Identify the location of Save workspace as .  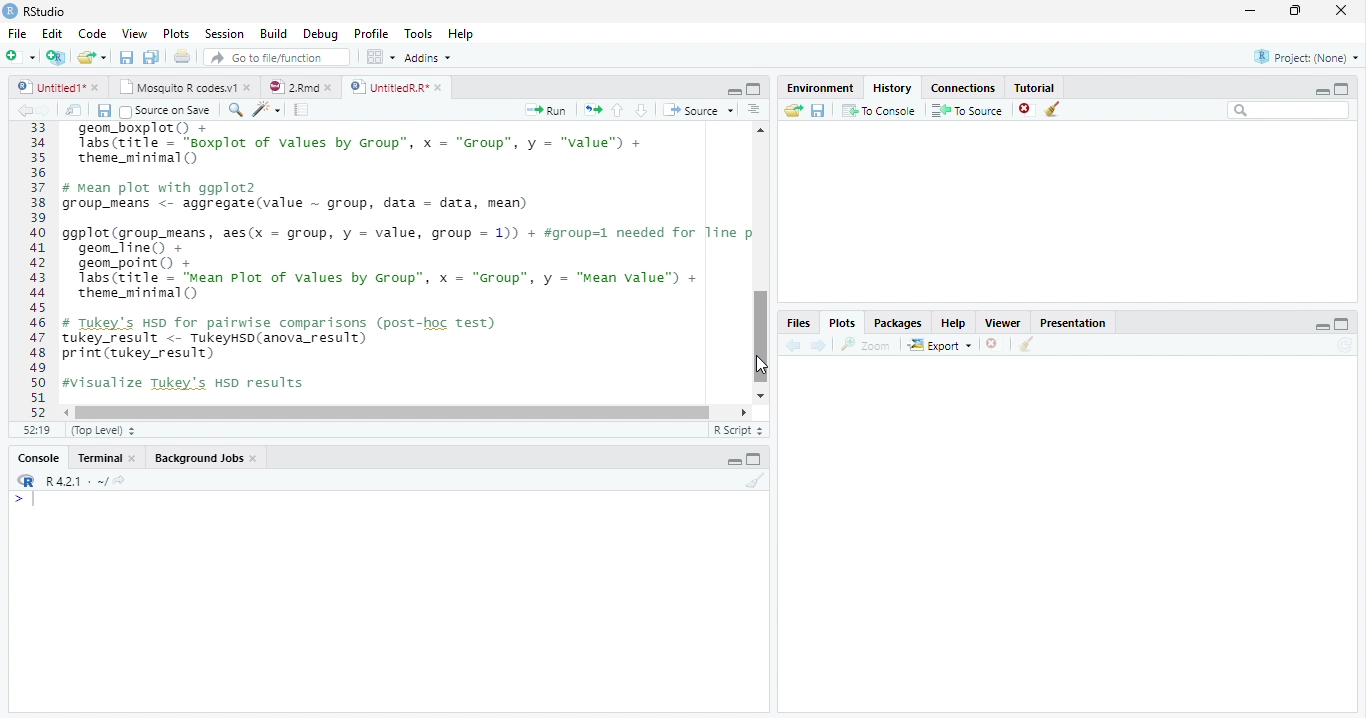
(821, 111).